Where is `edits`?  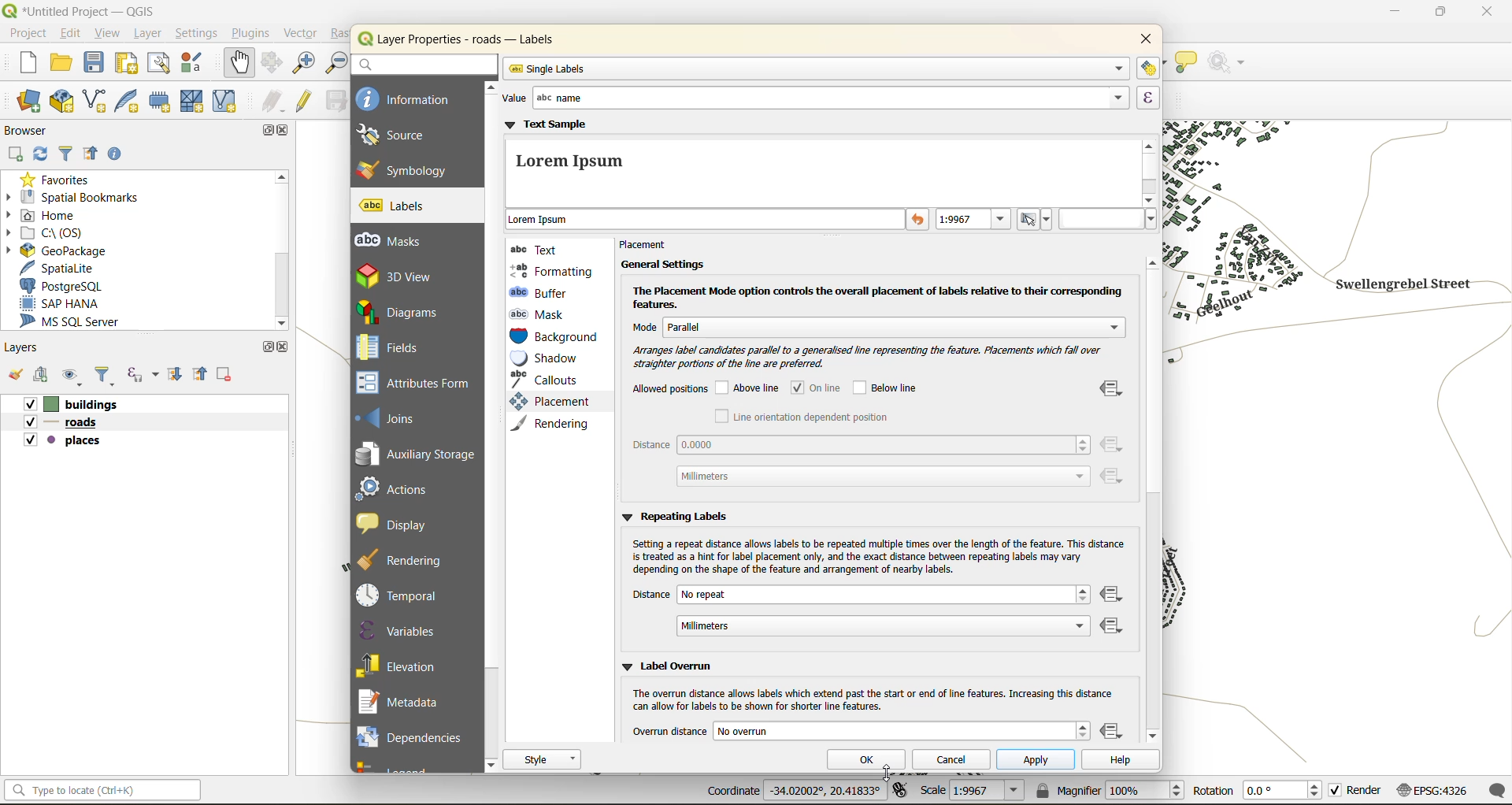
edits is located at coordinates (274, 101).